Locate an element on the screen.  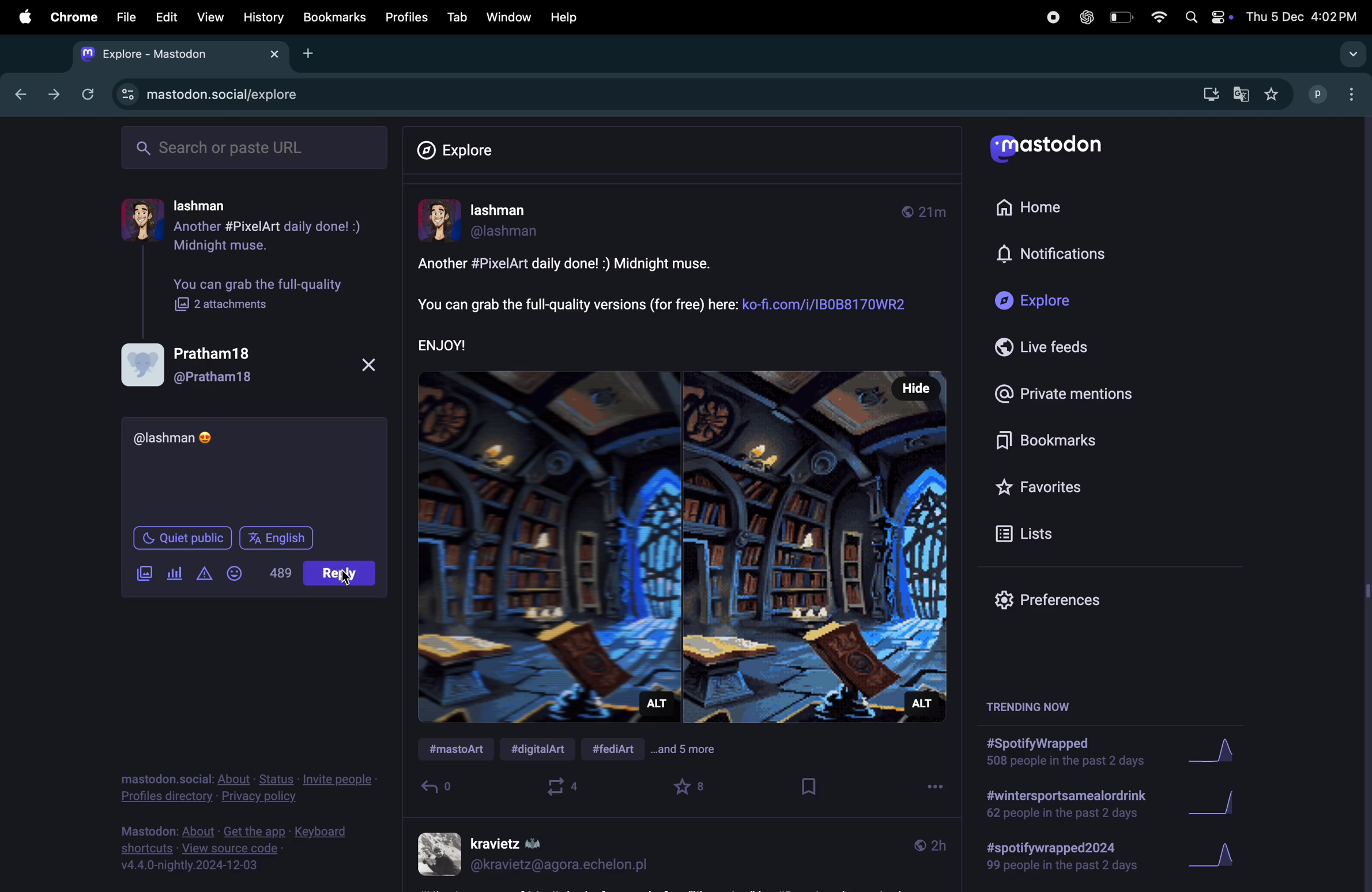
user profile is located at coordinates (254, 227).